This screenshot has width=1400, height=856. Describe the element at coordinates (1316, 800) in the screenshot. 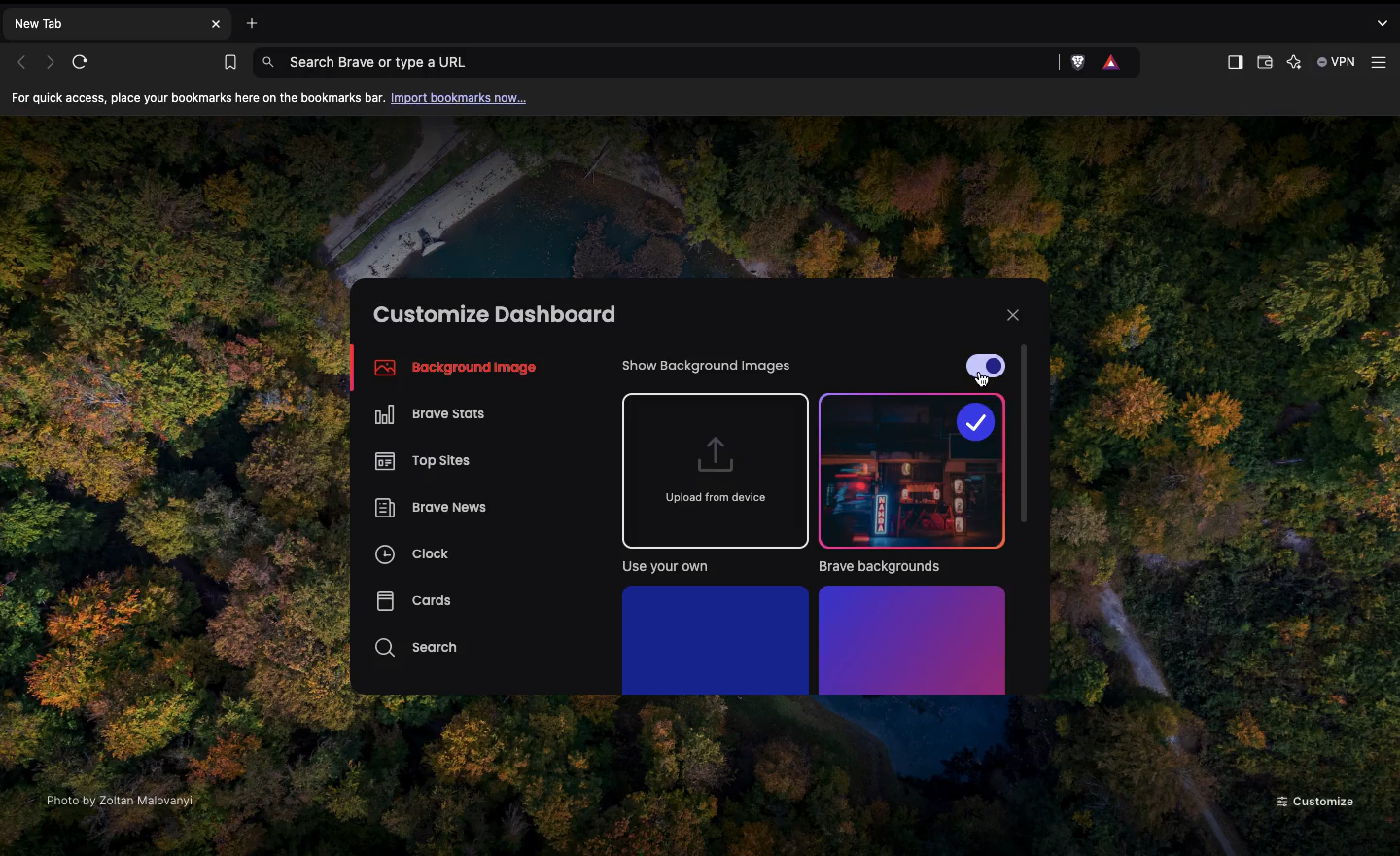

I see `Customize` at that location.